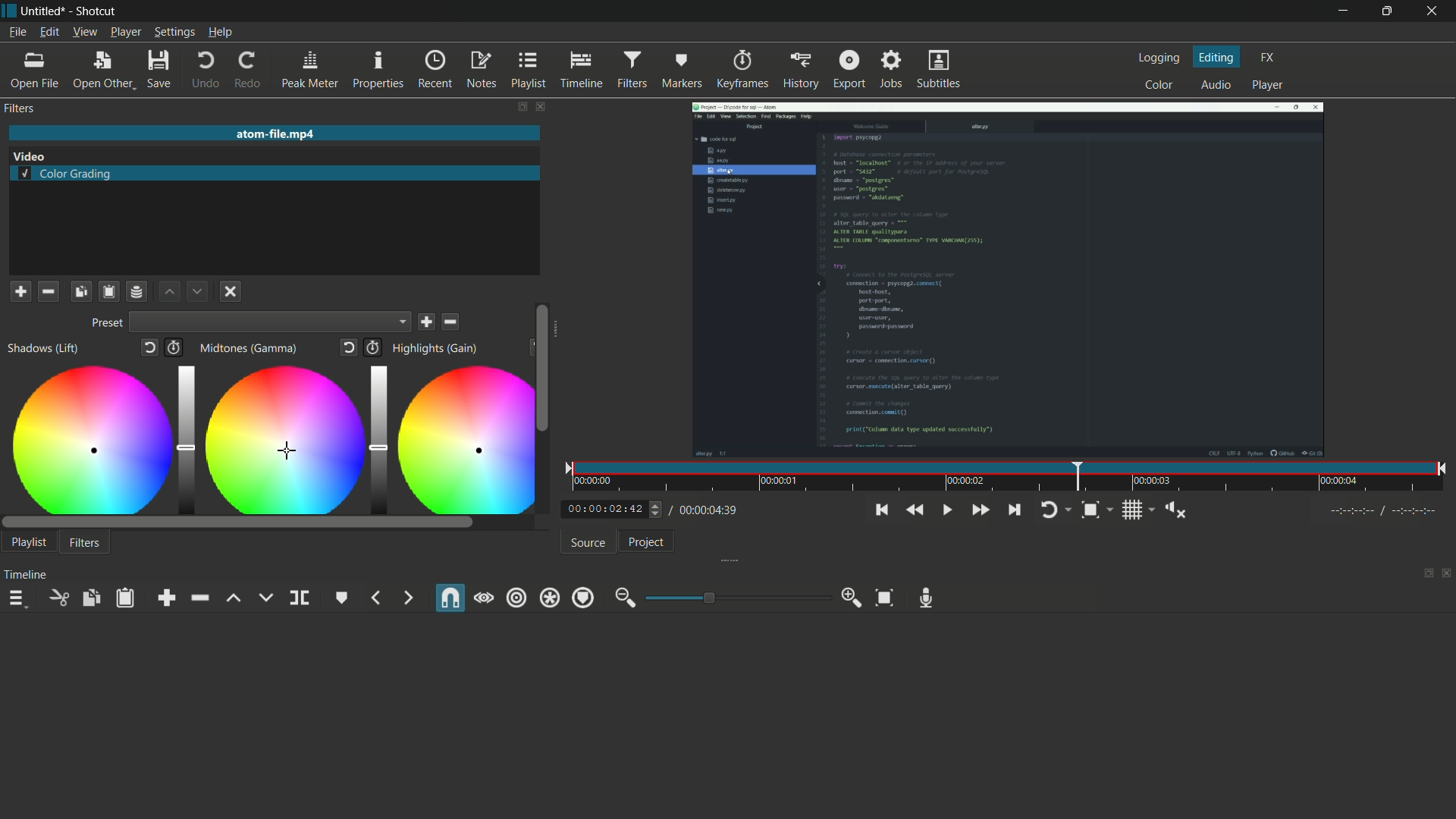 This screenshot has width=1456, height=819. What do you see at coordinates (85, 31) in the screenshot?
I see `view menu` at bounding box center [85, 31].